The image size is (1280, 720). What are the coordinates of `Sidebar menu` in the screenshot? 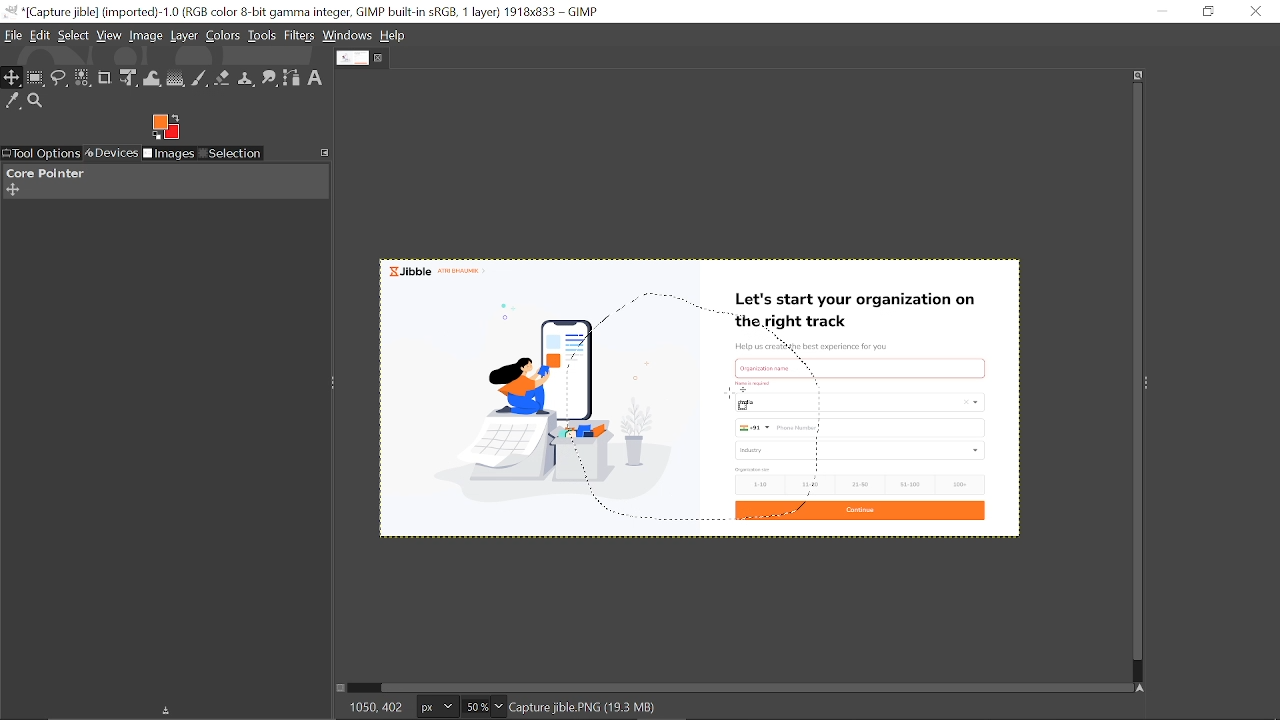 It's located at (1151, 381).